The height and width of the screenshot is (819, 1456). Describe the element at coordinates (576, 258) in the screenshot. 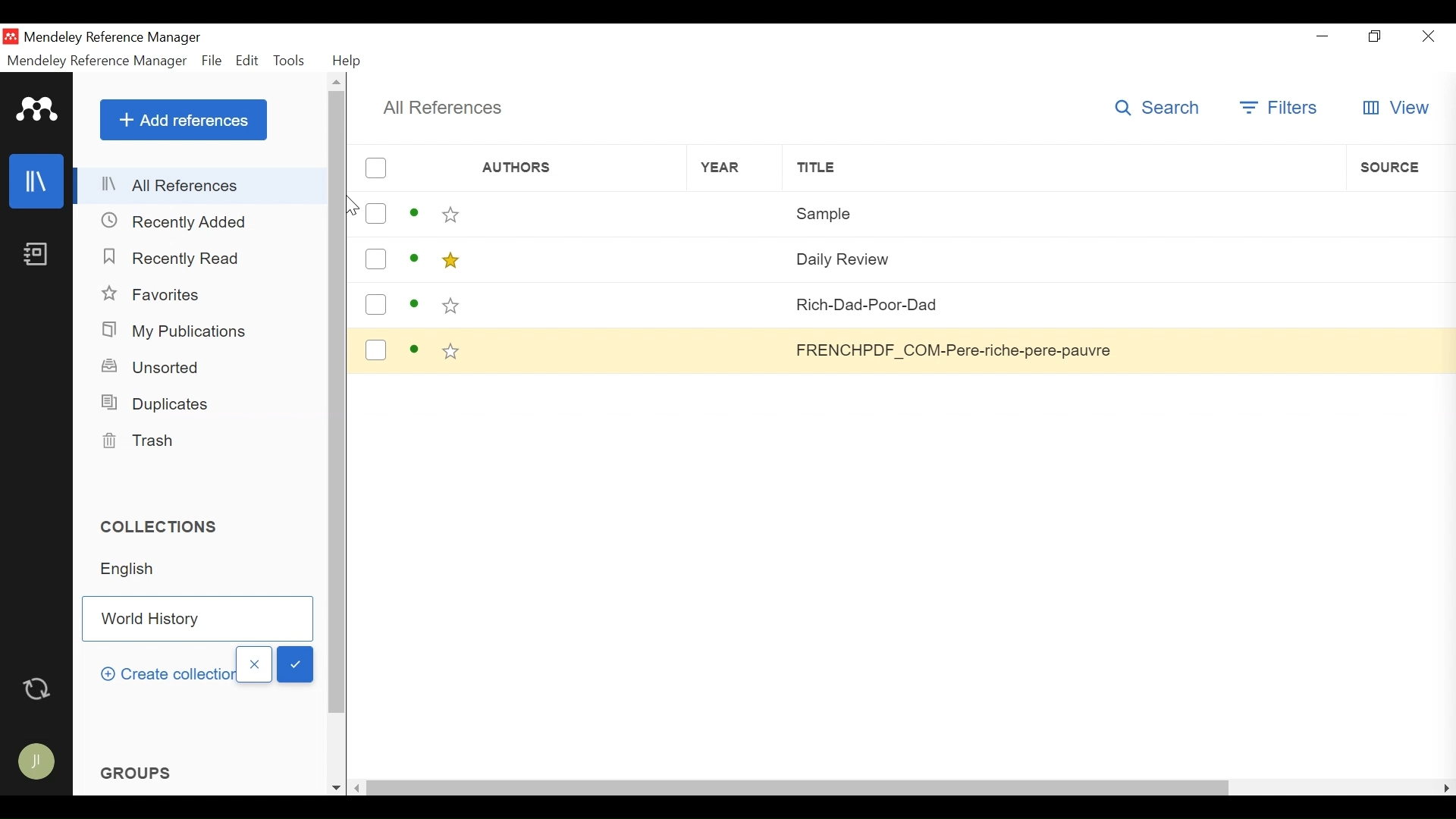

I see `Authors` at that location.